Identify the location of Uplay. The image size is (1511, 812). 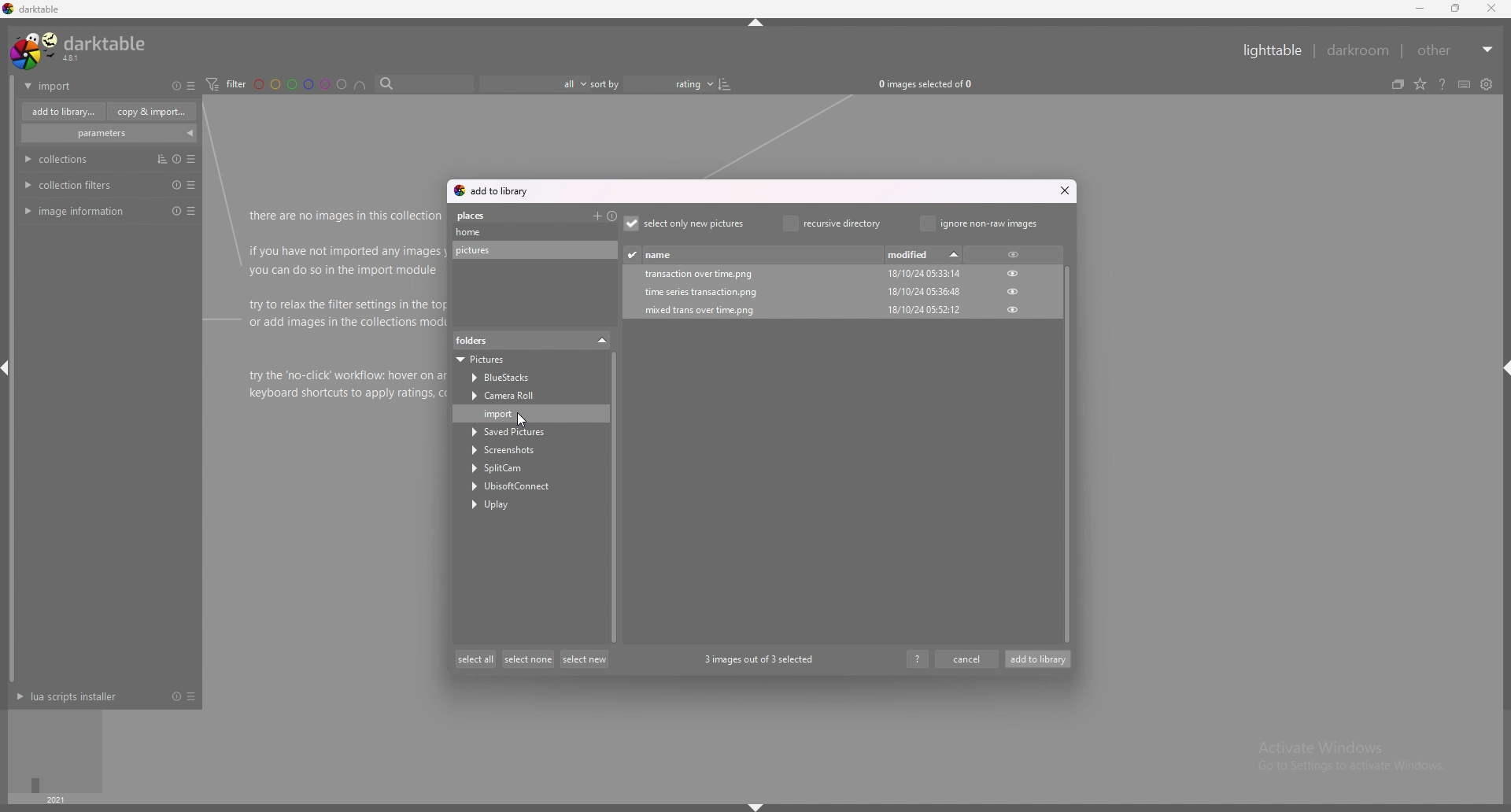
(525, 504).